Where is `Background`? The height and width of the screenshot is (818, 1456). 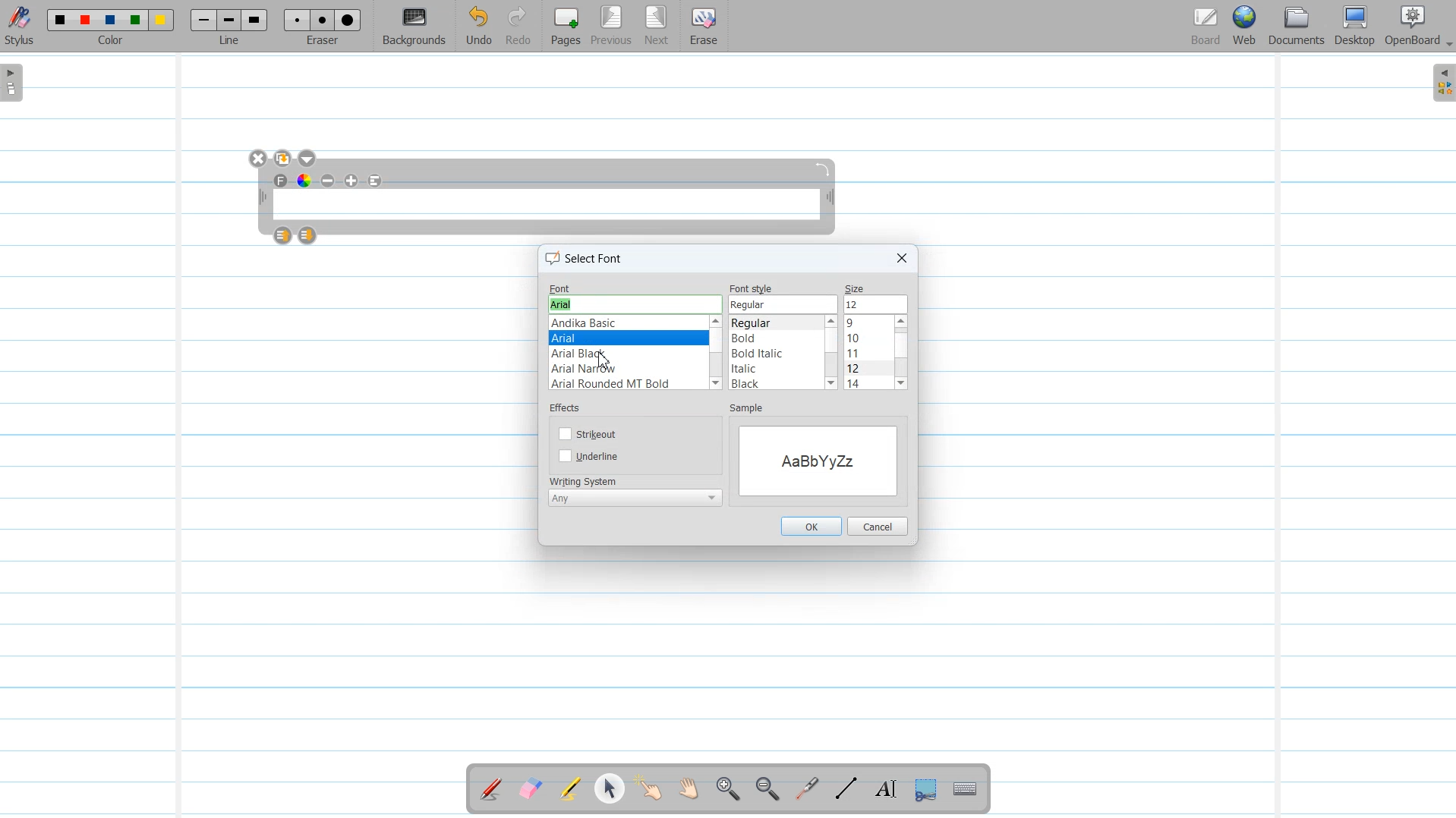
Background is located at coordinates (415, 27).